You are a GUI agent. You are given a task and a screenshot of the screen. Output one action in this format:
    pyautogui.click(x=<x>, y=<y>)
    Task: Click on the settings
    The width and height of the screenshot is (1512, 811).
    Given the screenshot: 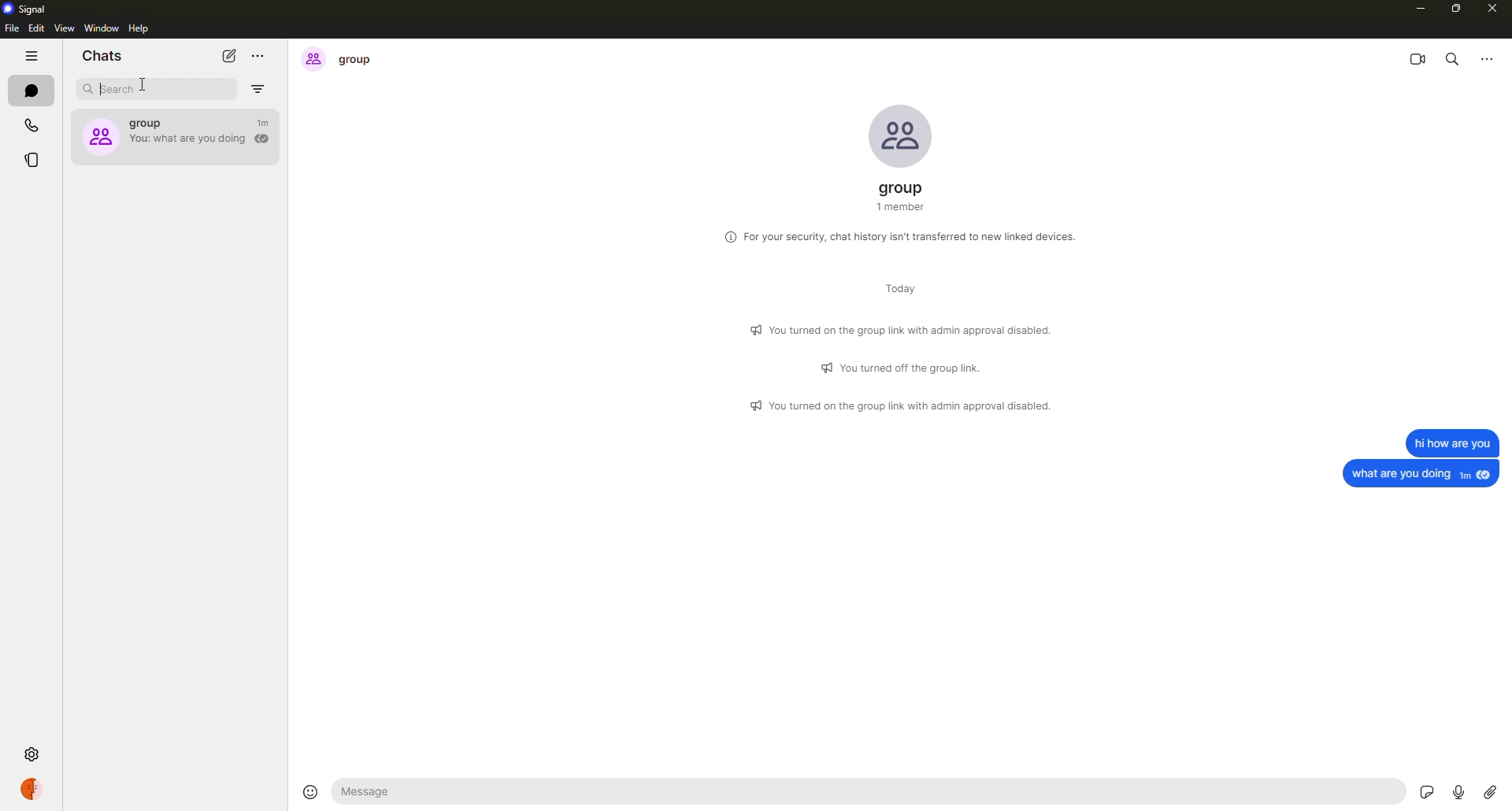 What is the action you would take?
    pyautogui.click(x=35, y=753)
    